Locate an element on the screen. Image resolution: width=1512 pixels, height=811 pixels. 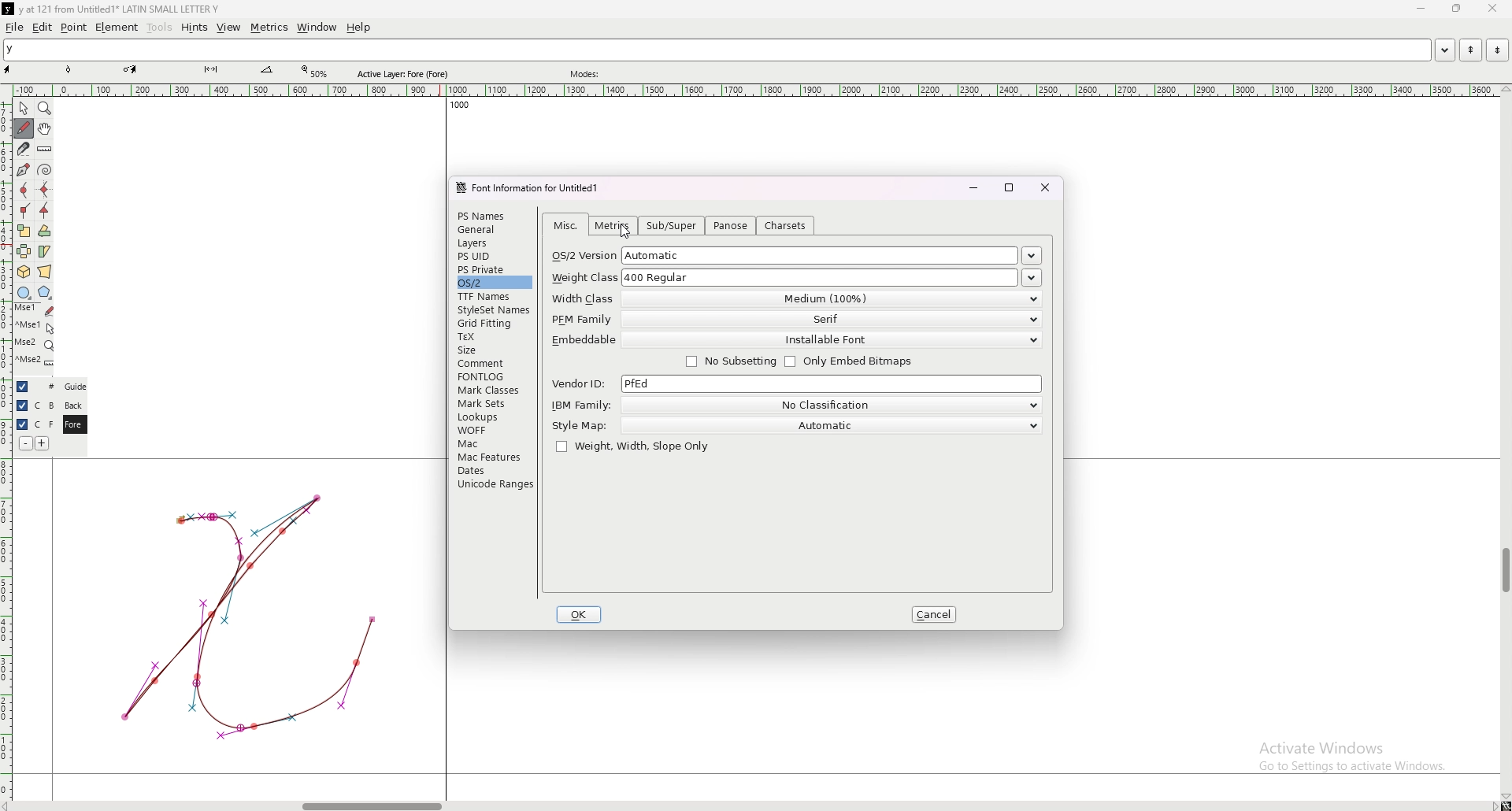
mse 2 is located at coordinates (35, 362).